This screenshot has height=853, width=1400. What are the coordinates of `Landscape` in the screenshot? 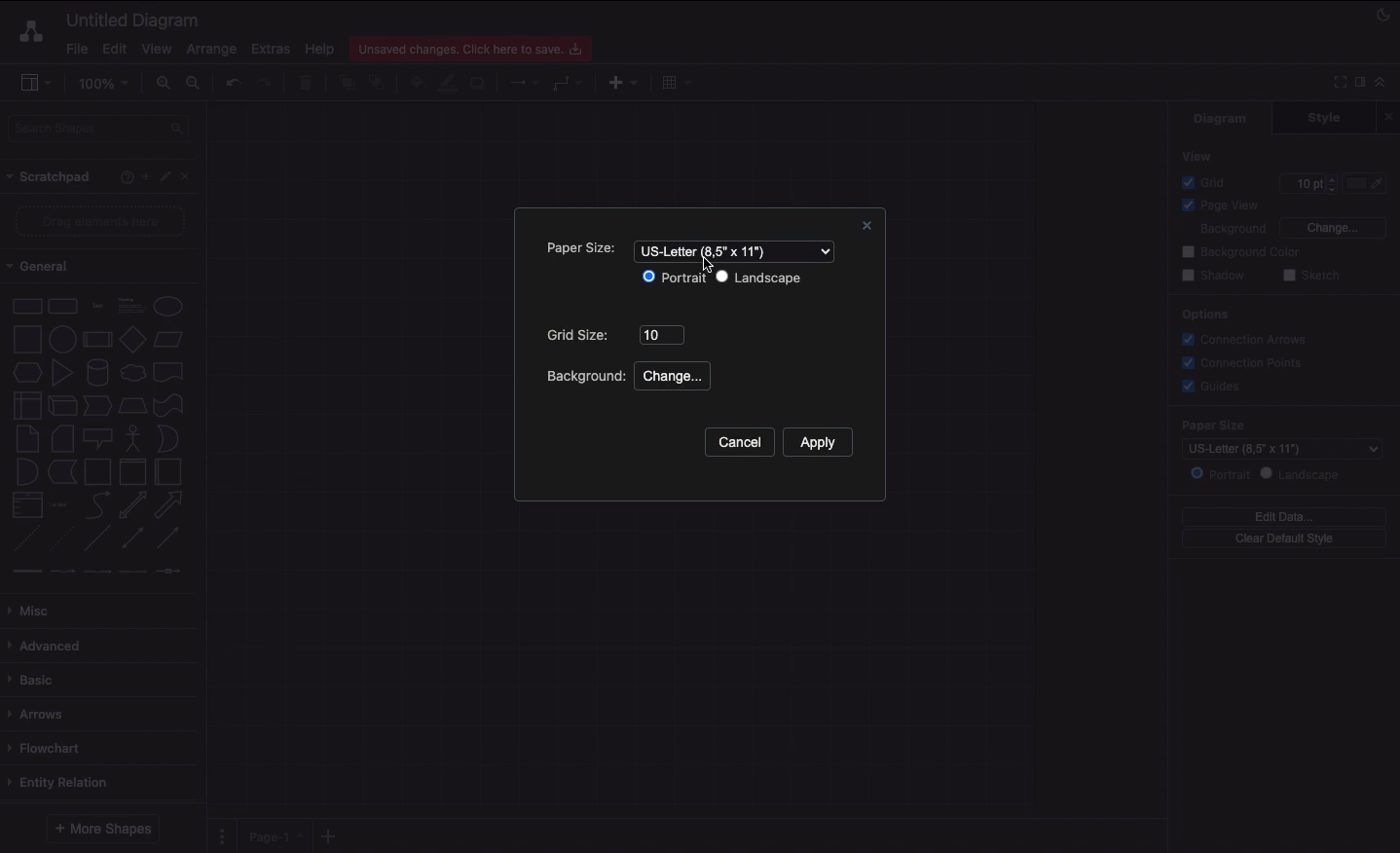 It's located at (758, 278).